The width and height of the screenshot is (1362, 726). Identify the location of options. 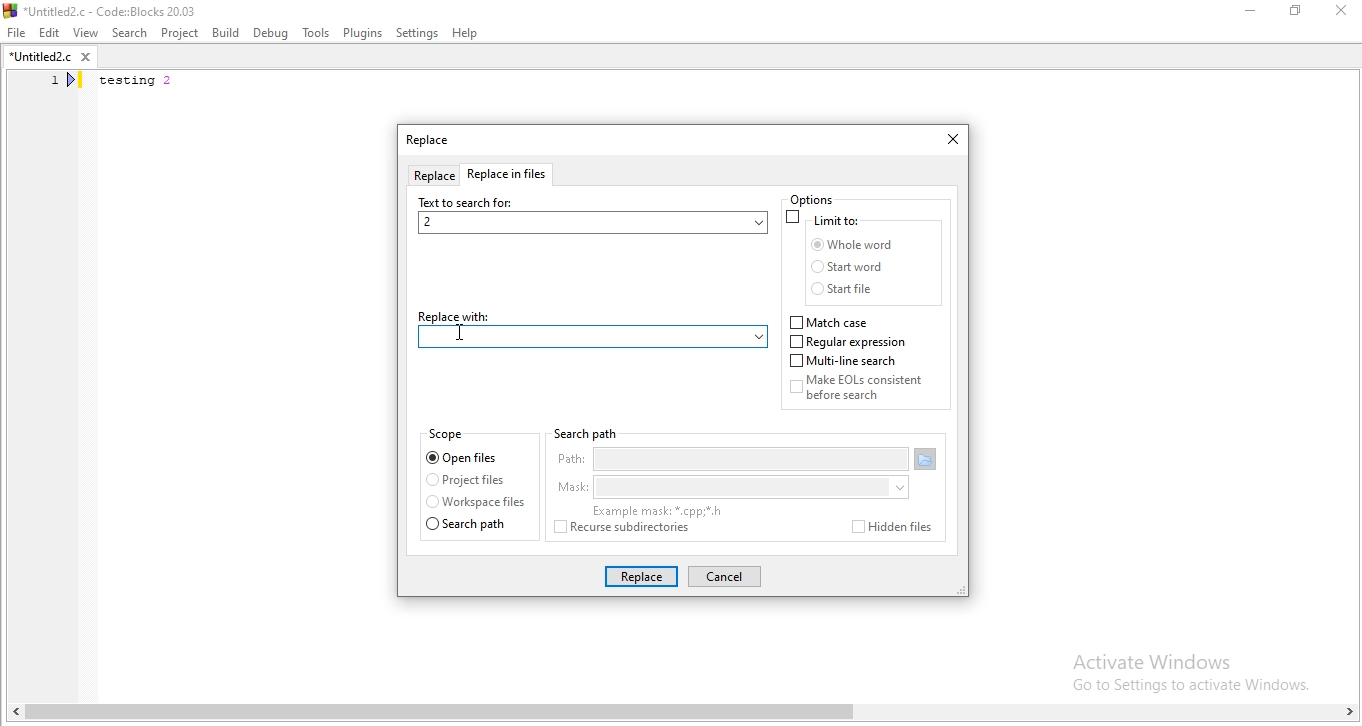
(824, 199).